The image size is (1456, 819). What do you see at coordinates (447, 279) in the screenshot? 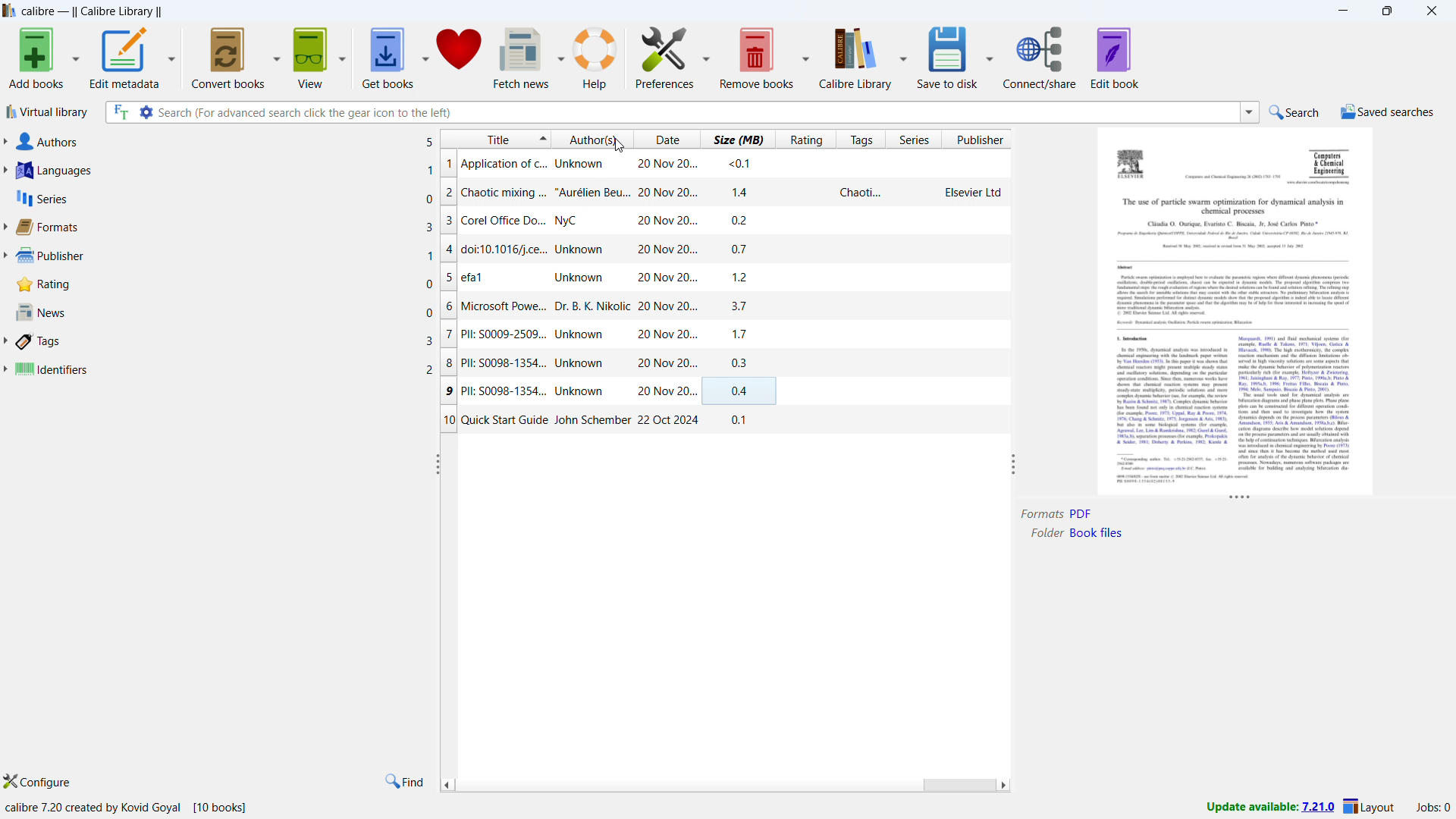
I see `5` at bounding box center [447, 279].